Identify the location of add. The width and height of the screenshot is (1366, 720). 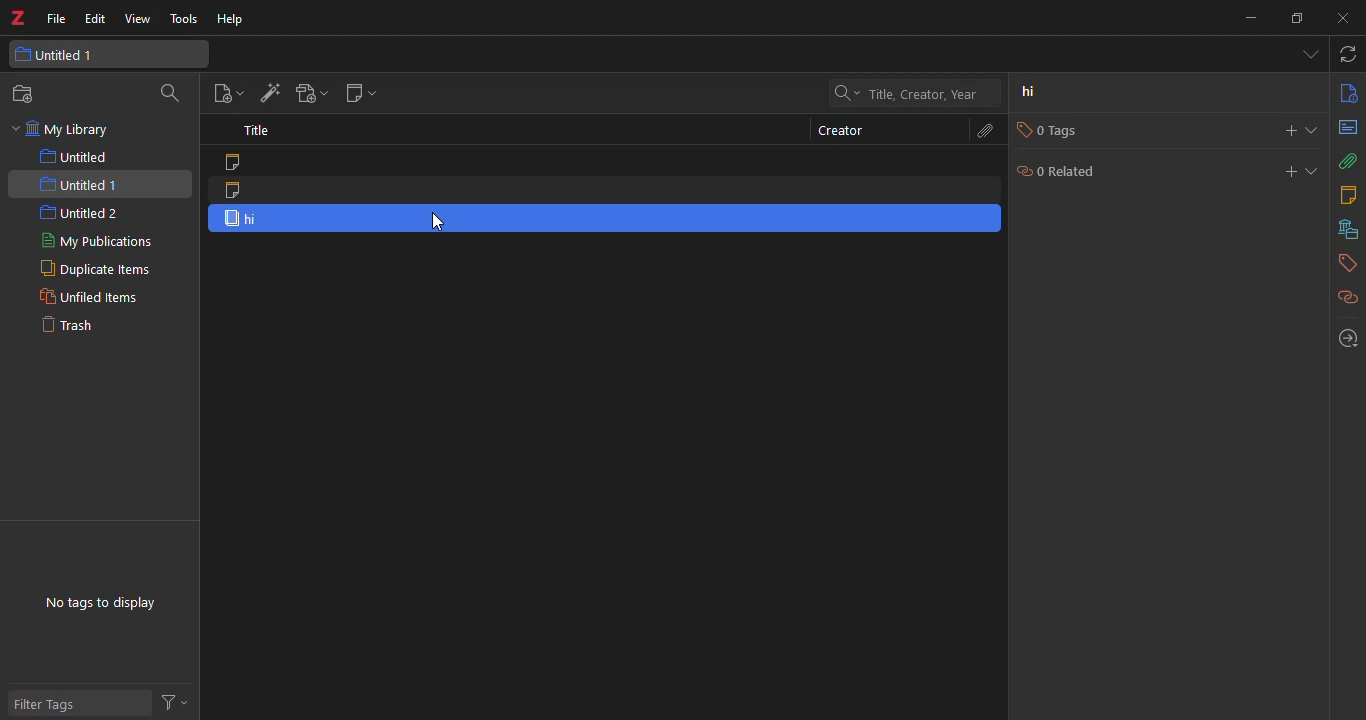
(1290, 130).